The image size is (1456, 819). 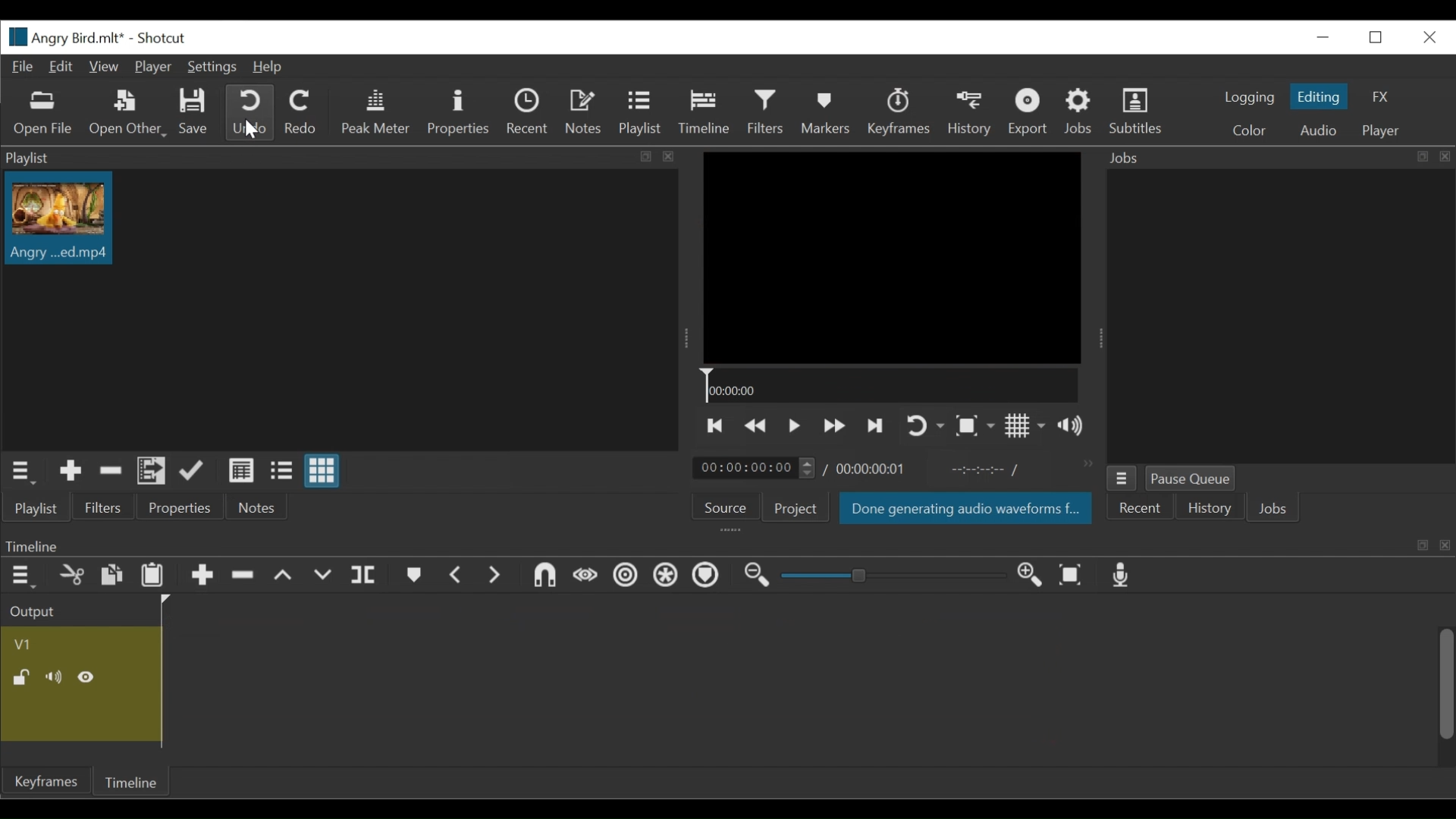 What do you see at coordinates (42, 613) in the screenshot?
I see `Output` at bounding box center [42, 613].